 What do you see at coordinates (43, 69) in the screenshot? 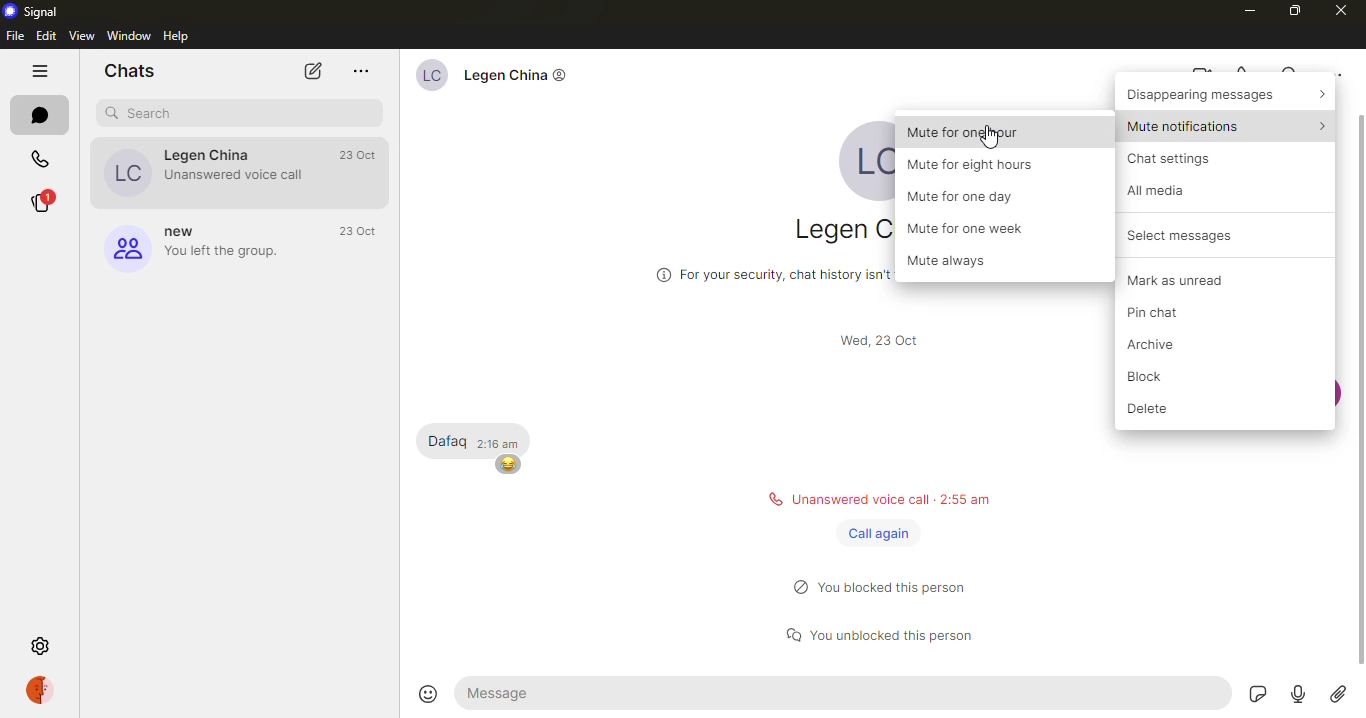
I see `hide tabs` at bounding box center [43, 69].